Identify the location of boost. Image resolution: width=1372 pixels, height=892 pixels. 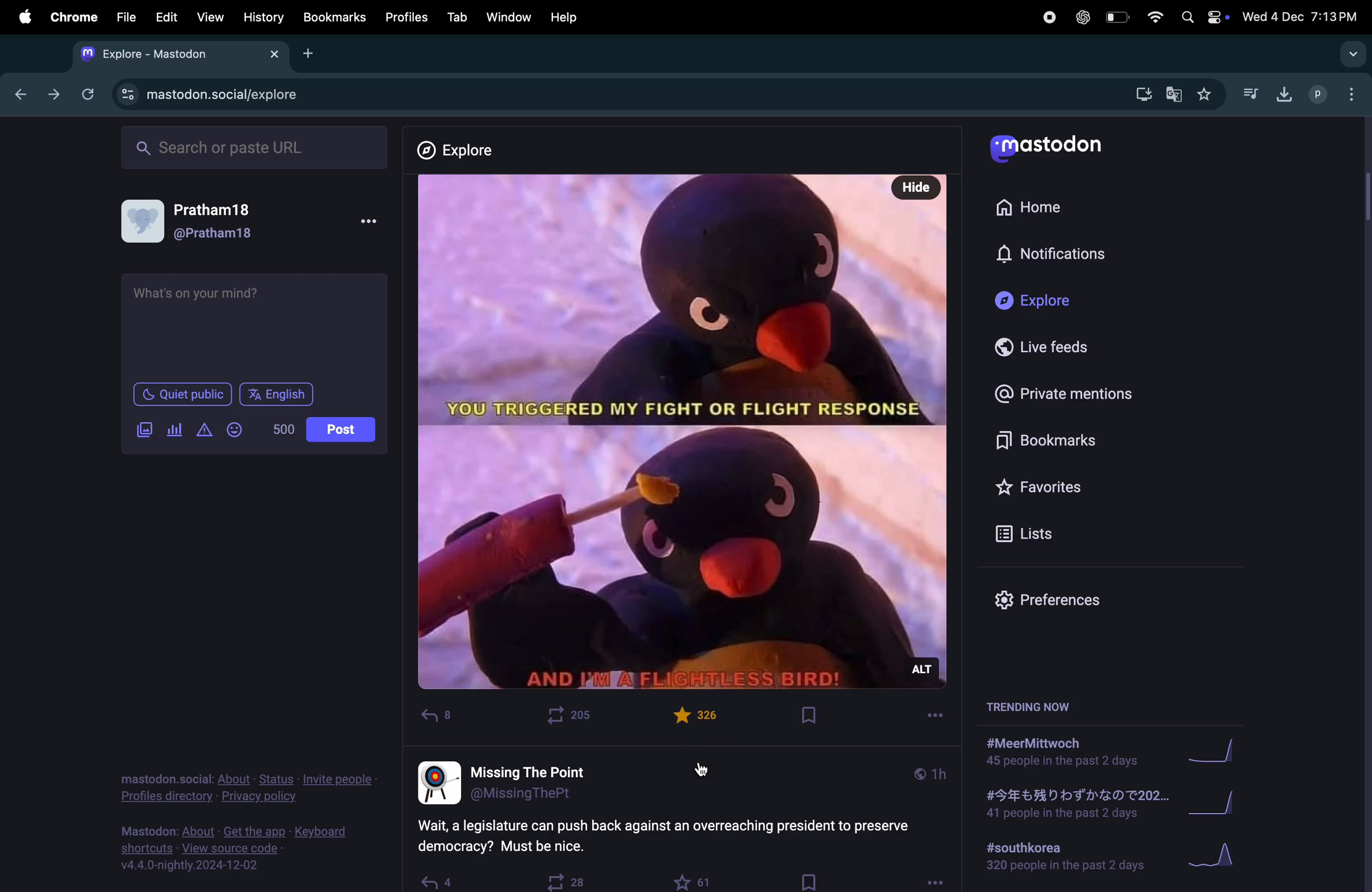
(568, 712).